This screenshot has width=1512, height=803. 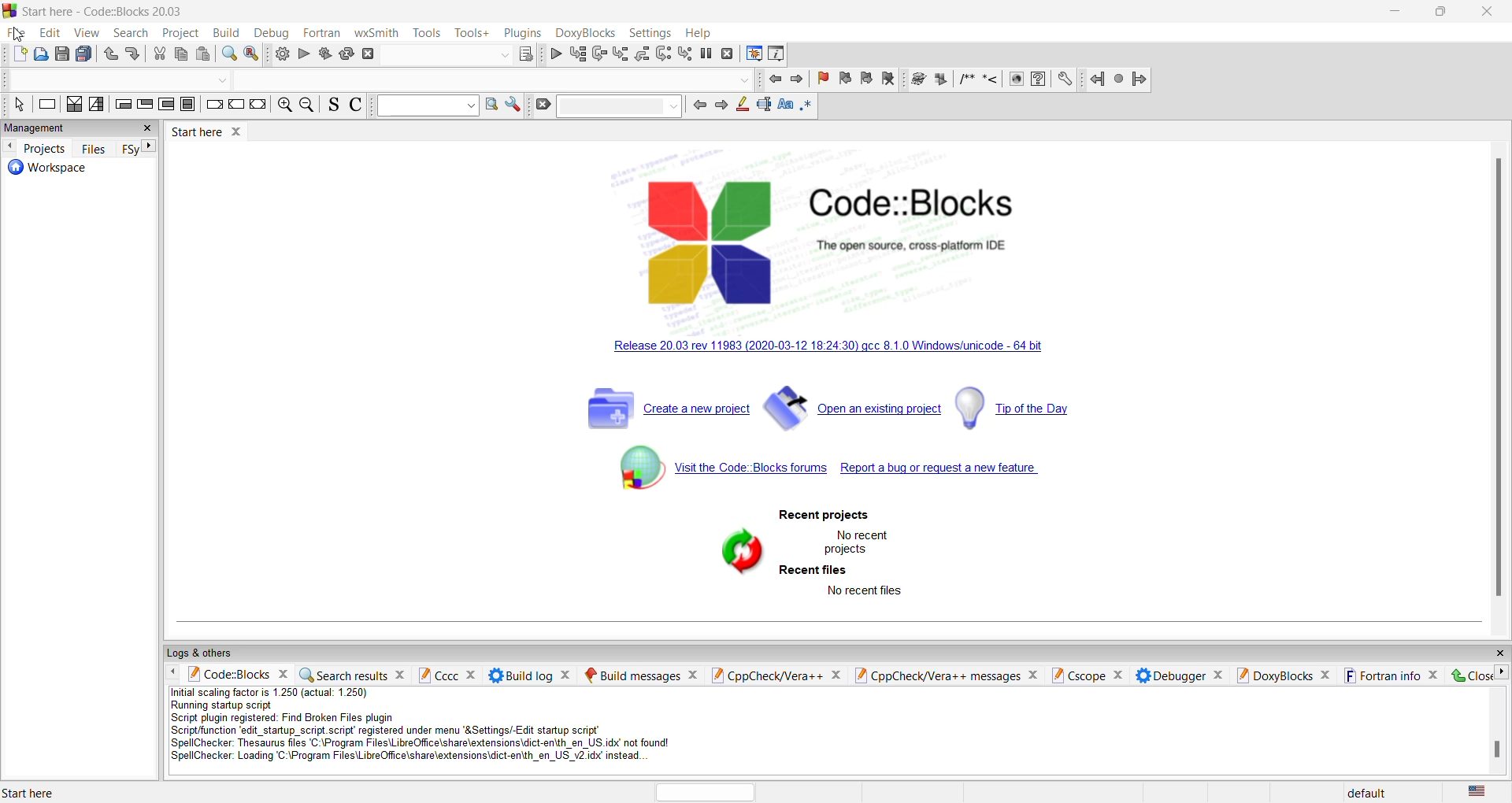 I want to click on projects, so click(x=46, y=148).